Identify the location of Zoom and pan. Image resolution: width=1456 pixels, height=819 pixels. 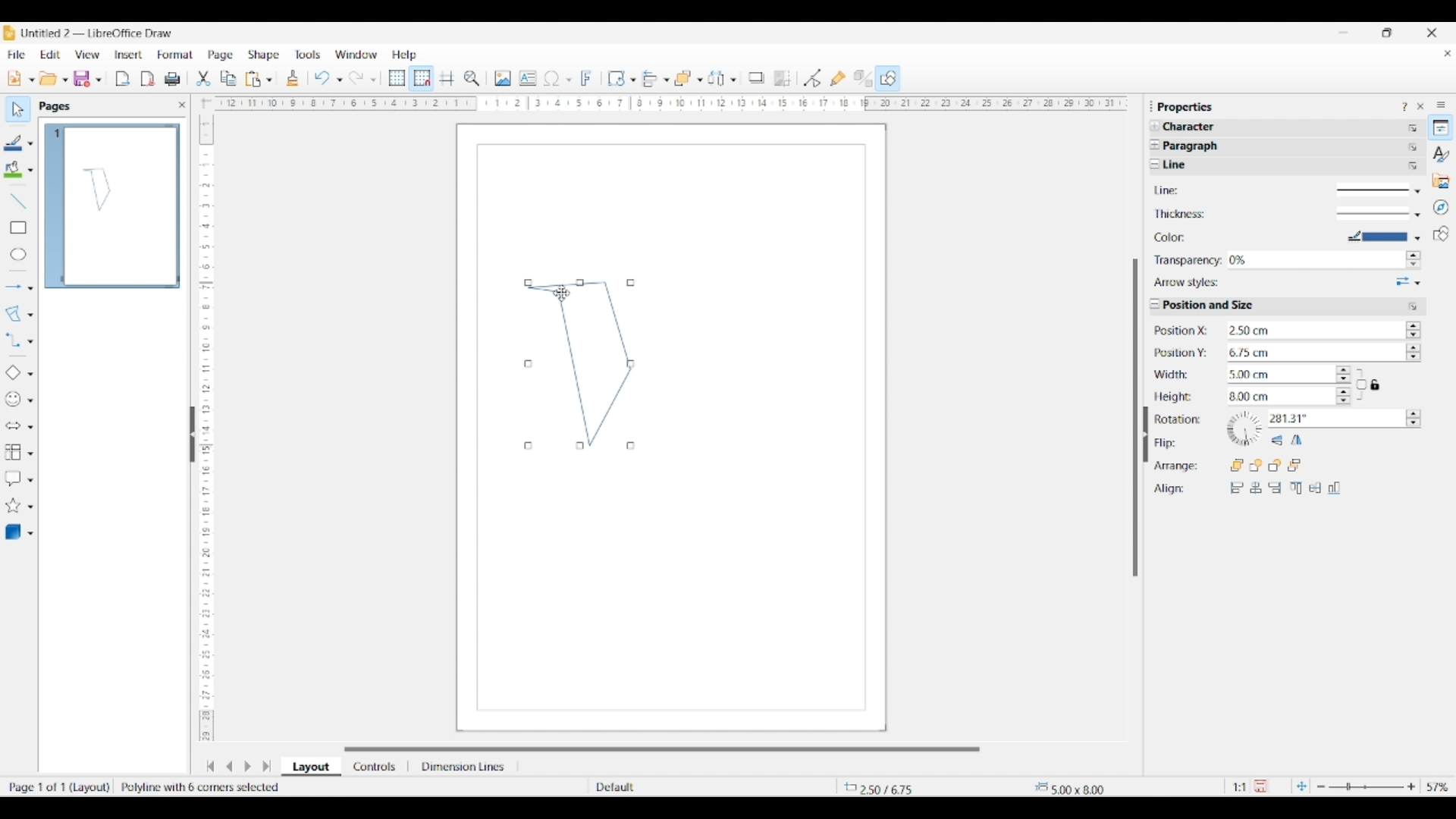
(472, 79).